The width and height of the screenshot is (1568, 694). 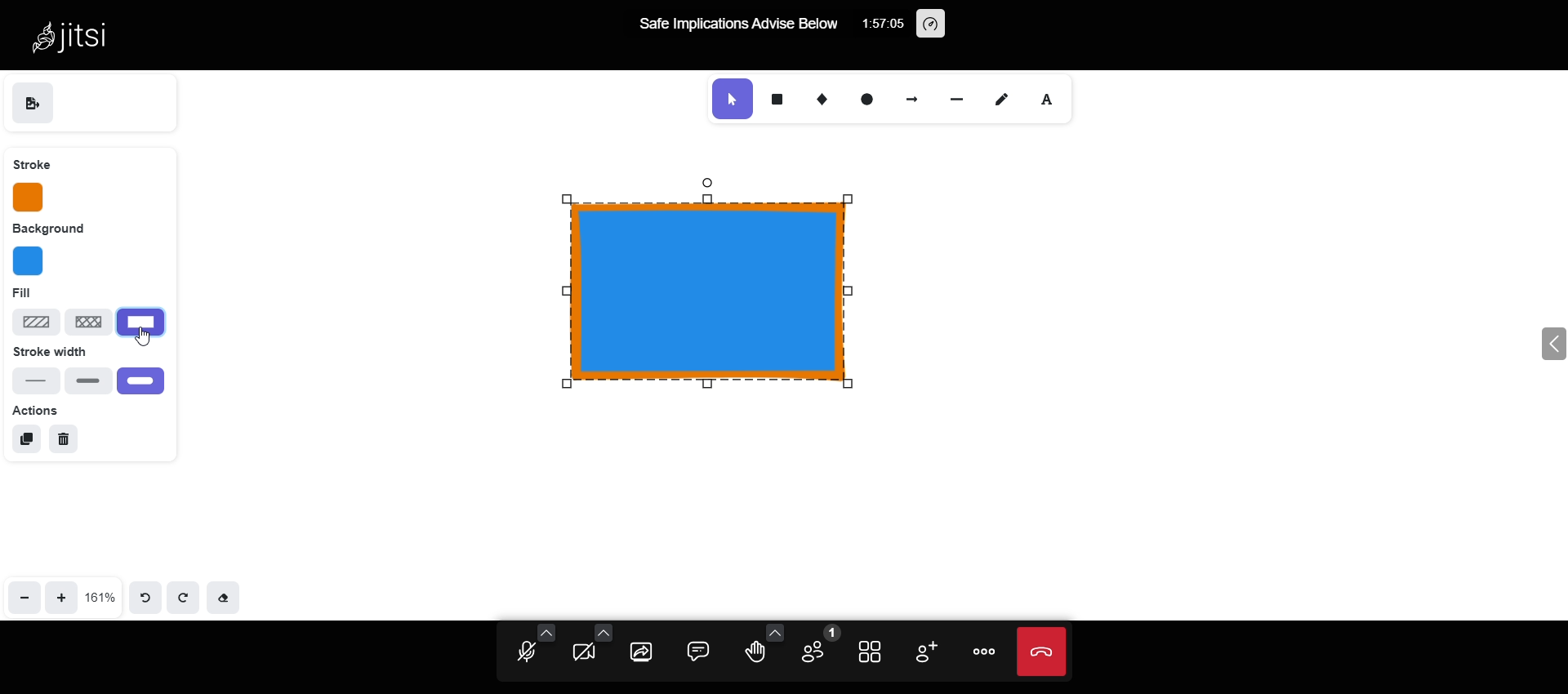 I want to click on save as image, so click(x=38, y=107).